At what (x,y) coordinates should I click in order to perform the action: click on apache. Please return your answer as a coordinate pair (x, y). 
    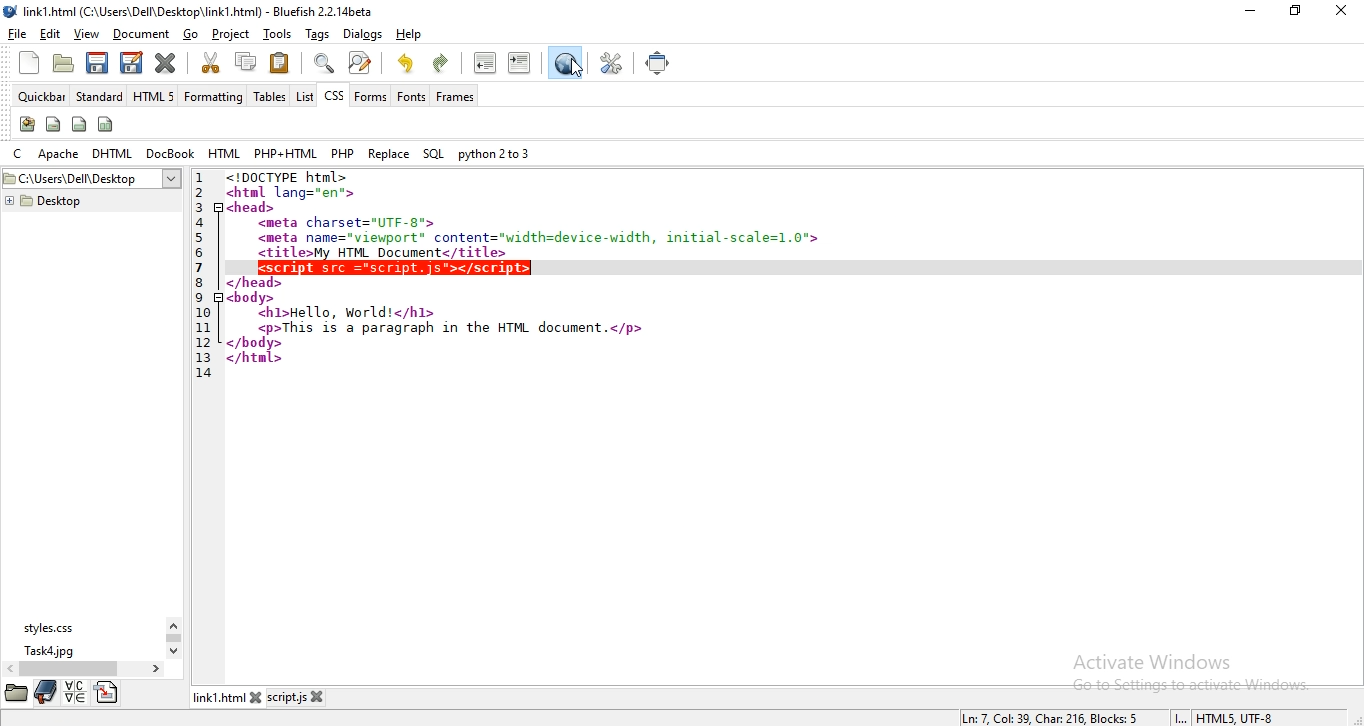
    Looking at the image, I should click on (58, 153).